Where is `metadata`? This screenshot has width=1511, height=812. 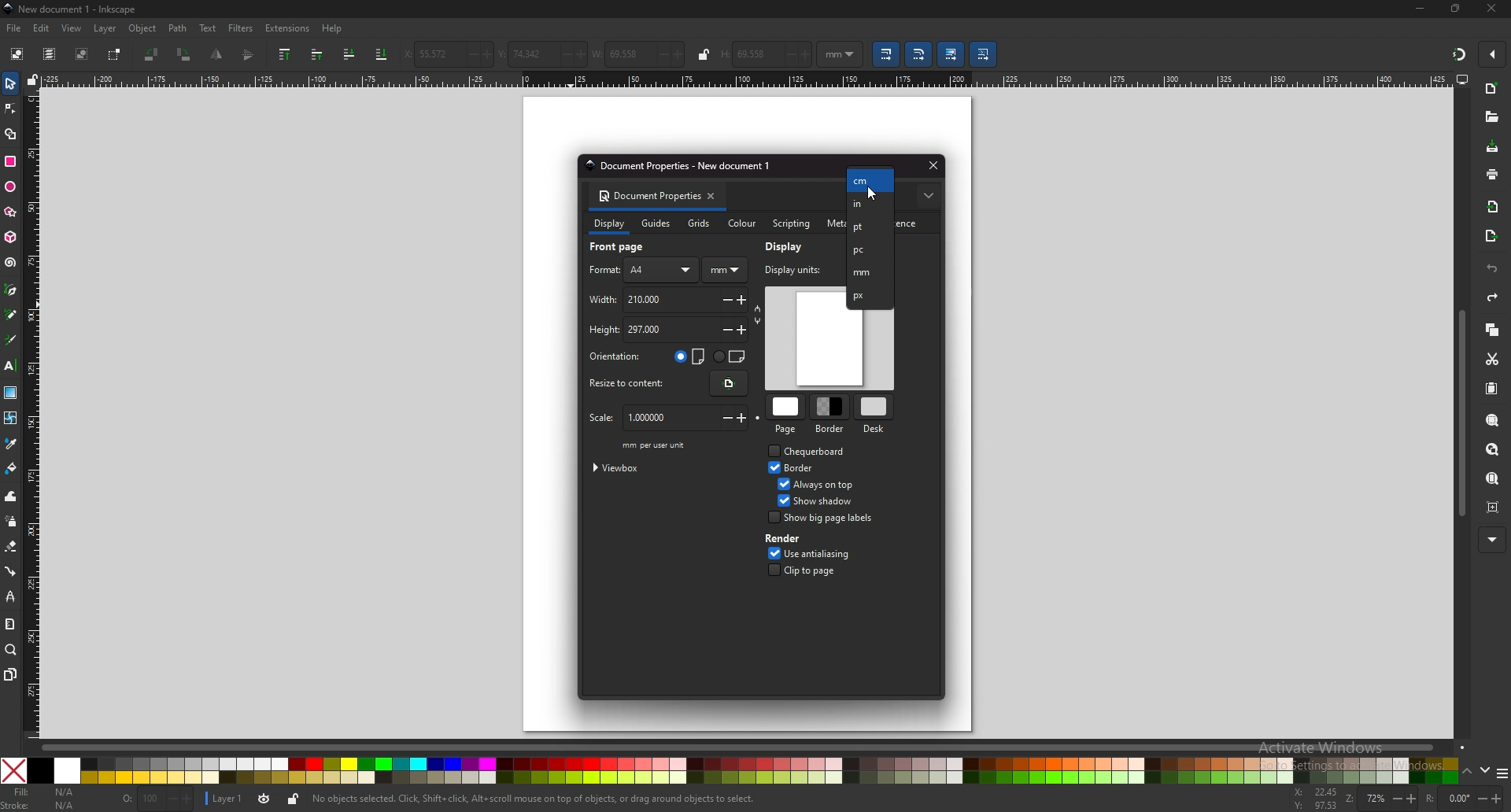
metadata is located at coordinates (833, 225).